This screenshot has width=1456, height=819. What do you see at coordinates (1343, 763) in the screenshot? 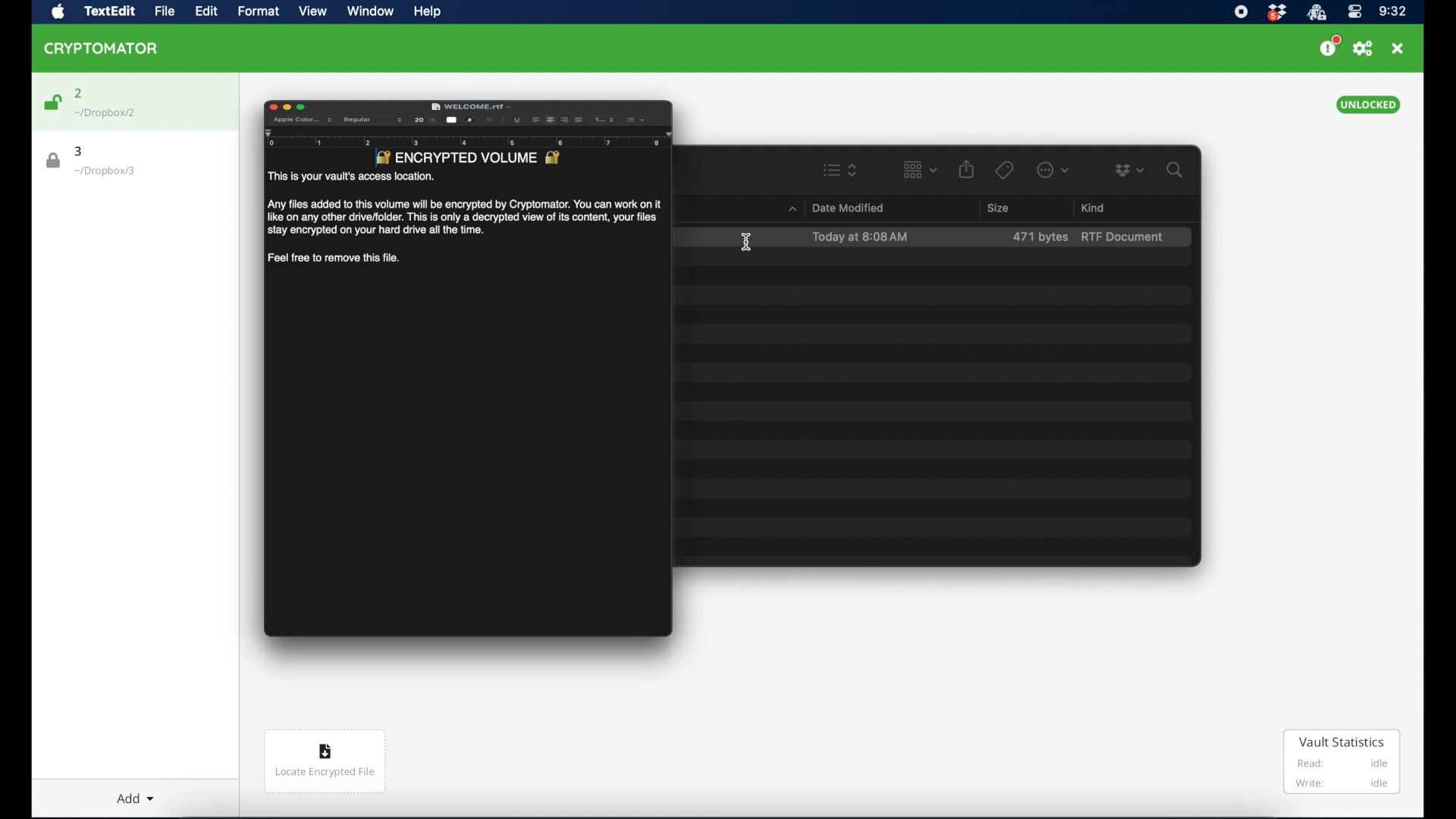
I see `vault statistics` at bounding box center [1343, 763].